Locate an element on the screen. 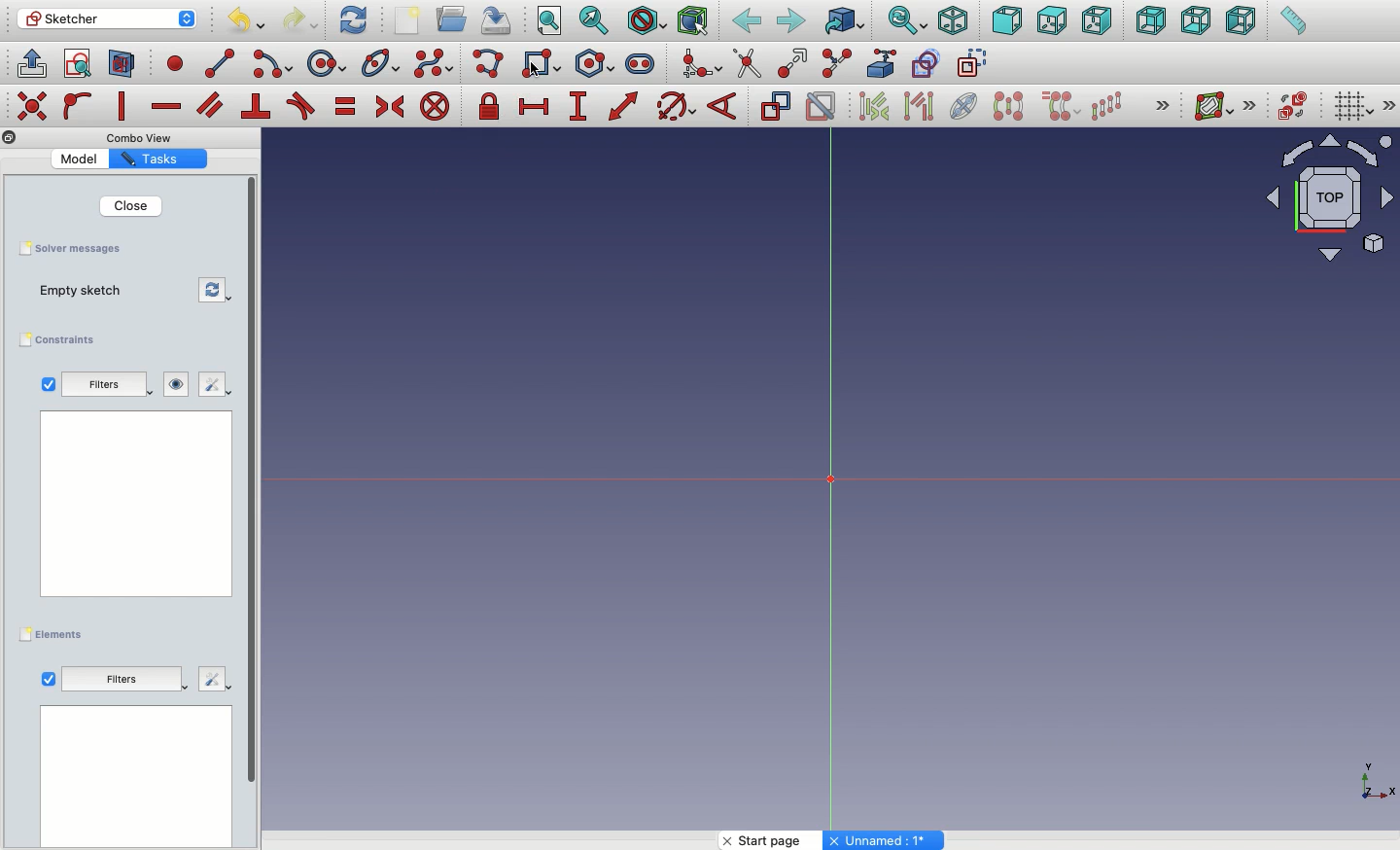 The height and width of the screenshot is (850, 1400). constrain perpendicular is located at coordinates (258, 107).